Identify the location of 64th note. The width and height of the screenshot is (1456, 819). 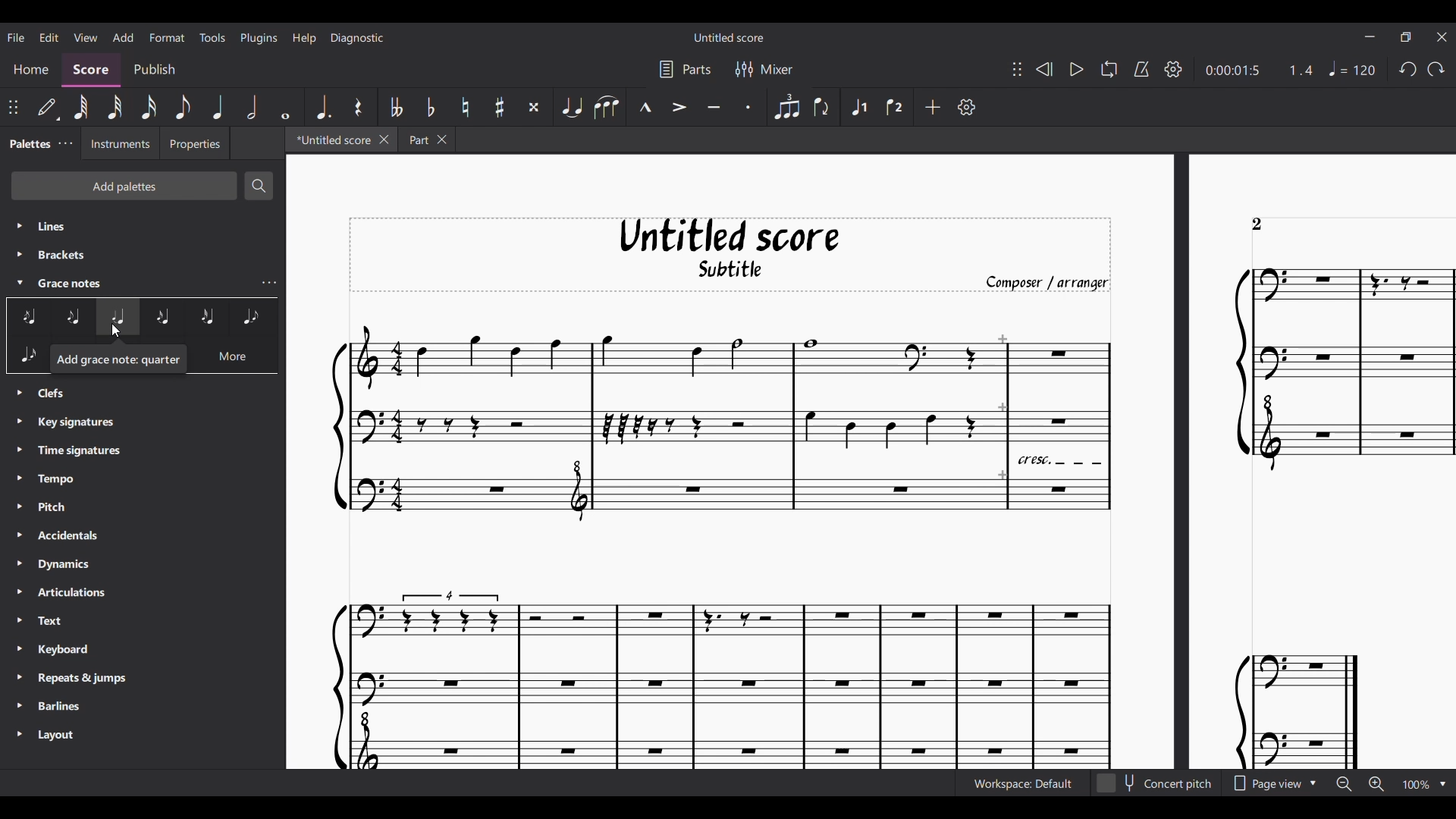
(80, 108).